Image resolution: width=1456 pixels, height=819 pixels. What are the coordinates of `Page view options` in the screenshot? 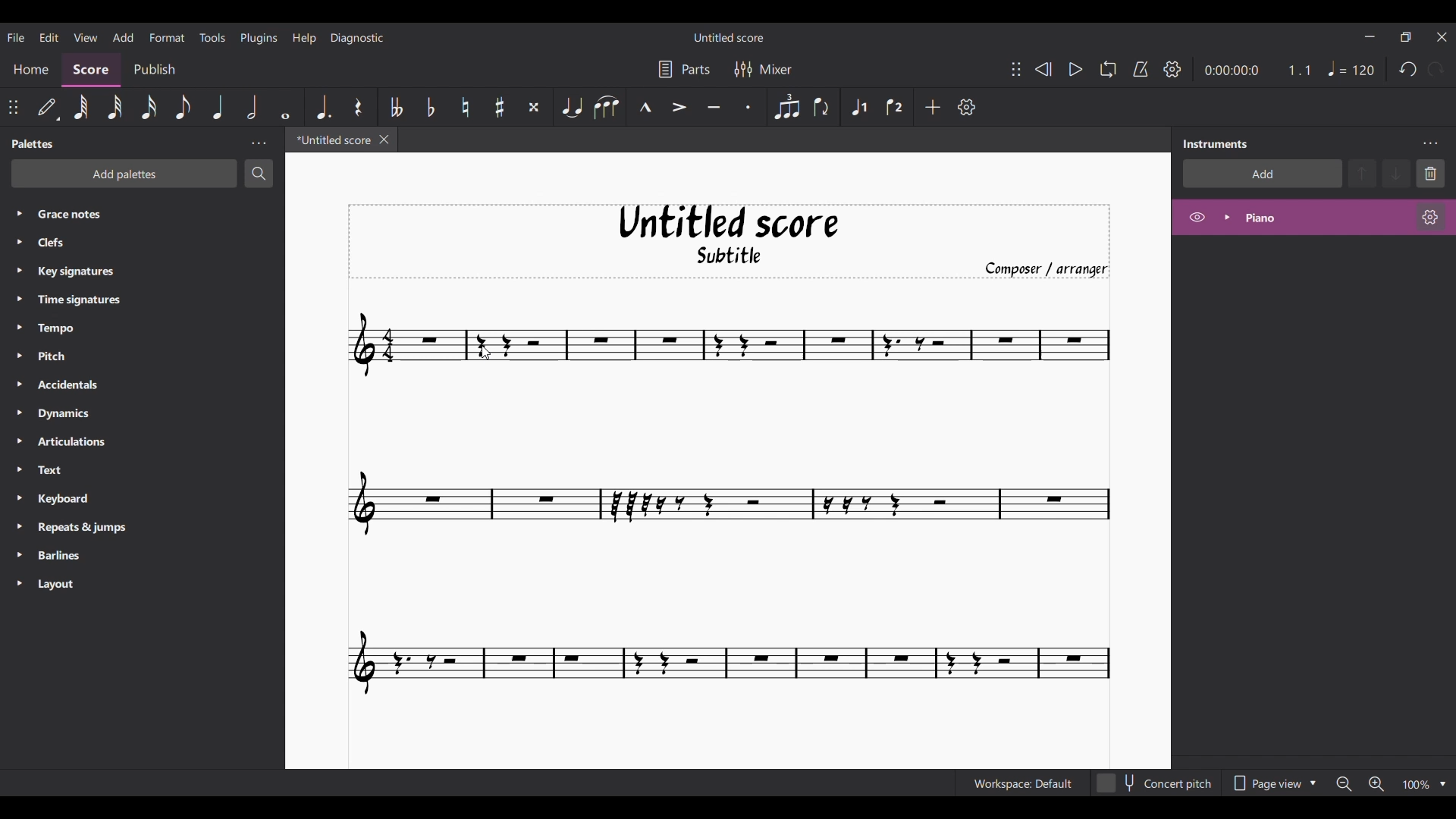 It's located at (1272, 783).